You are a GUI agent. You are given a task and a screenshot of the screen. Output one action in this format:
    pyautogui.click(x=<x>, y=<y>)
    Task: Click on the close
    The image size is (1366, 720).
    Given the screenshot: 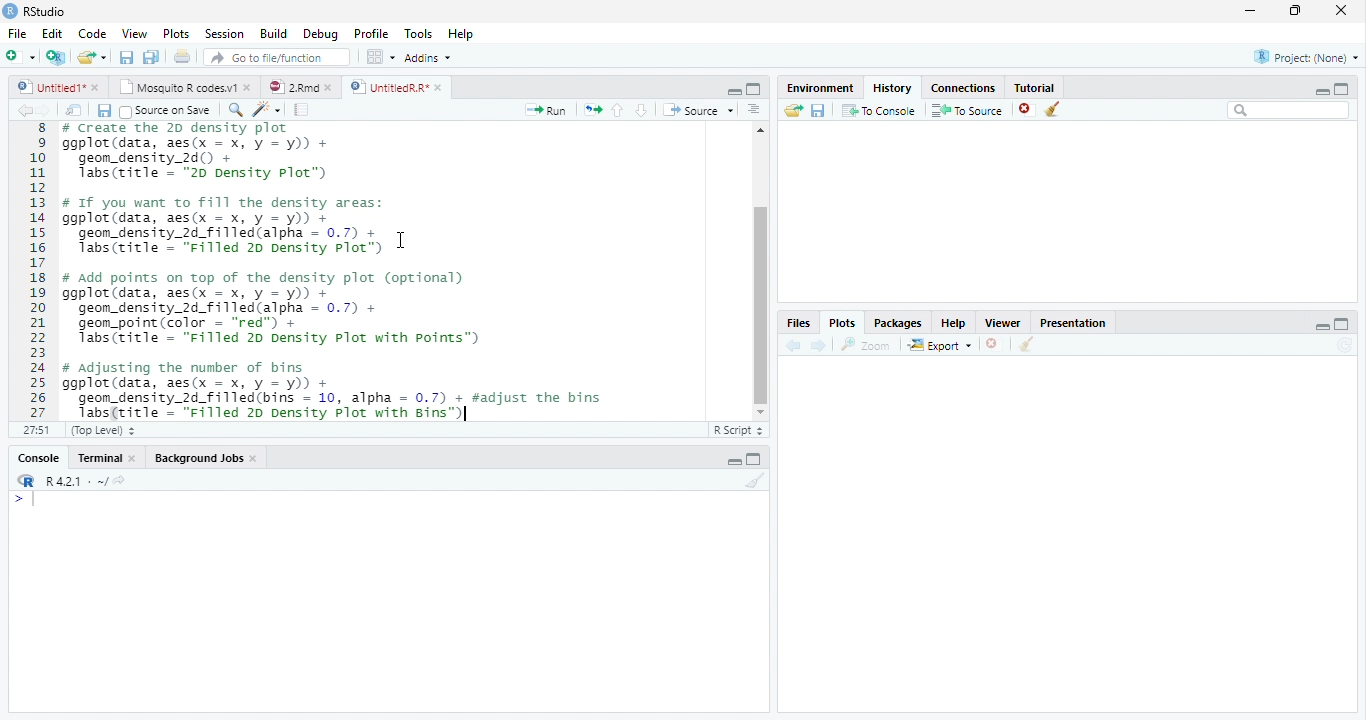 What is the action you would take?
    pyautogui.click(x=256, y=460)
    